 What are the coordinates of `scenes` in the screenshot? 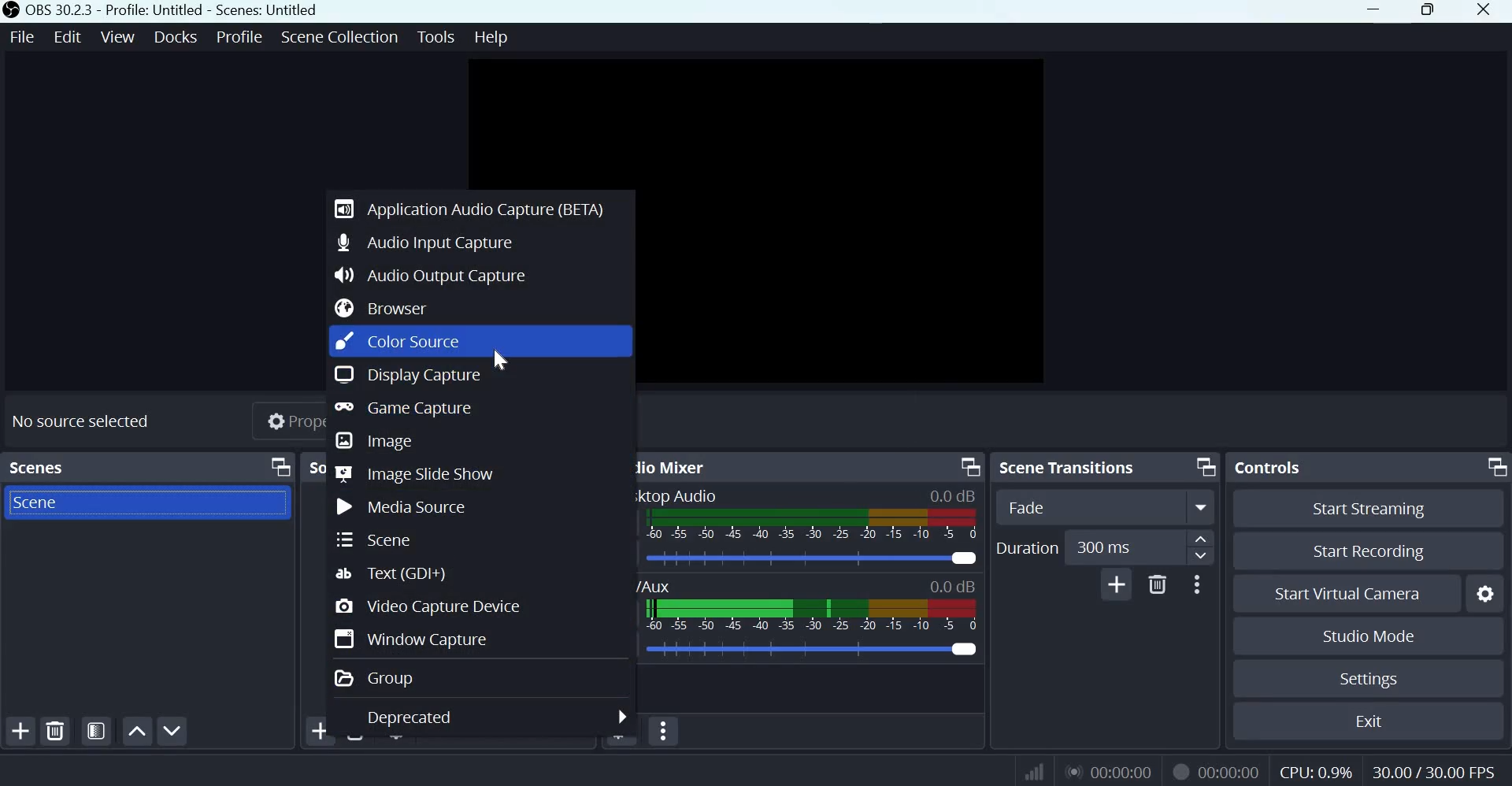 It's located at (40, 465).